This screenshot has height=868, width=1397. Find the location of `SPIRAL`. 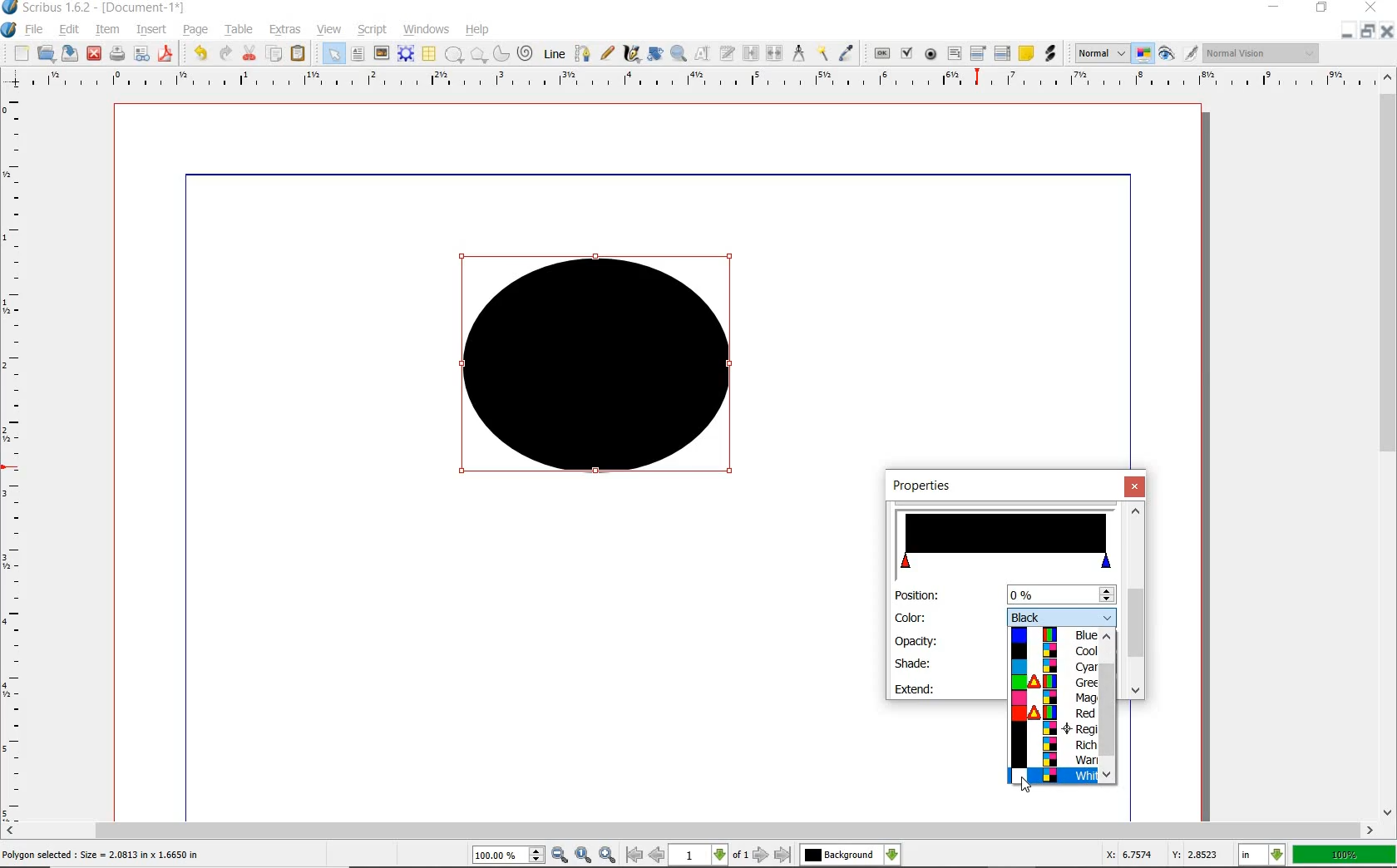

SPIRAL is located at coordinates (524, 54).